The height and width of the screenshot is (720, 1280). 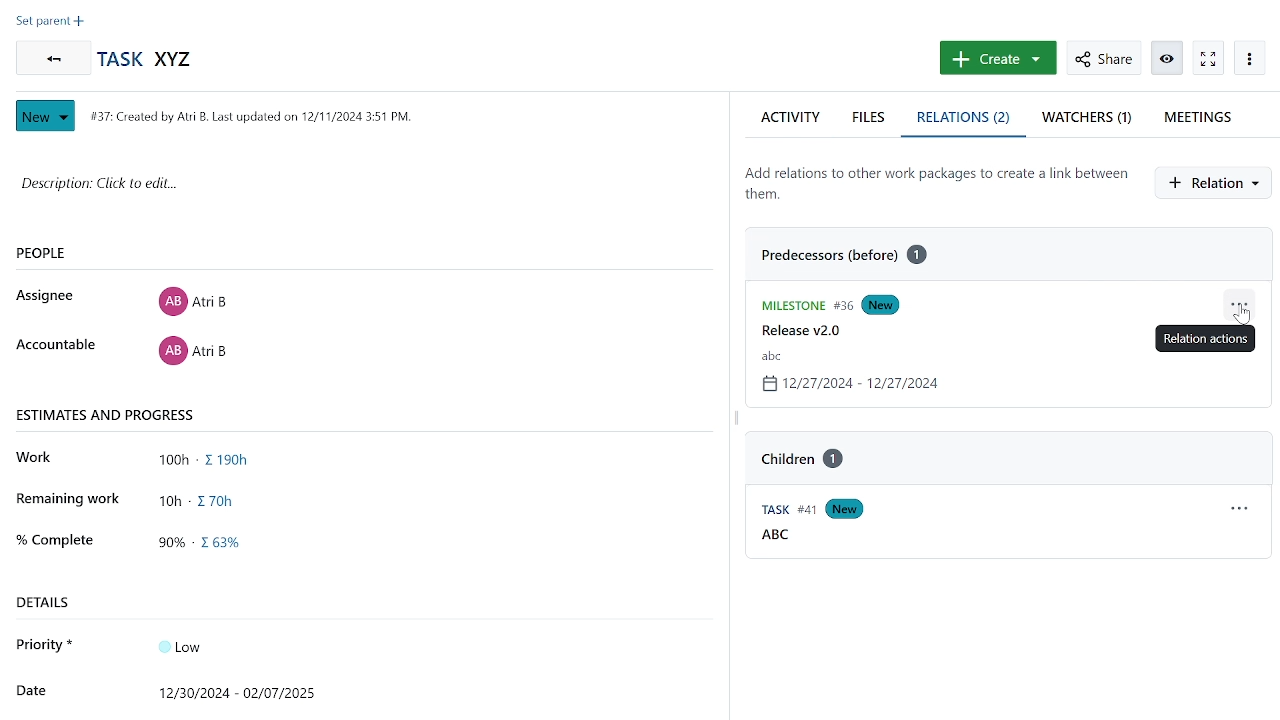 I want to click on estimates and progress, so click(x=108, y=414).